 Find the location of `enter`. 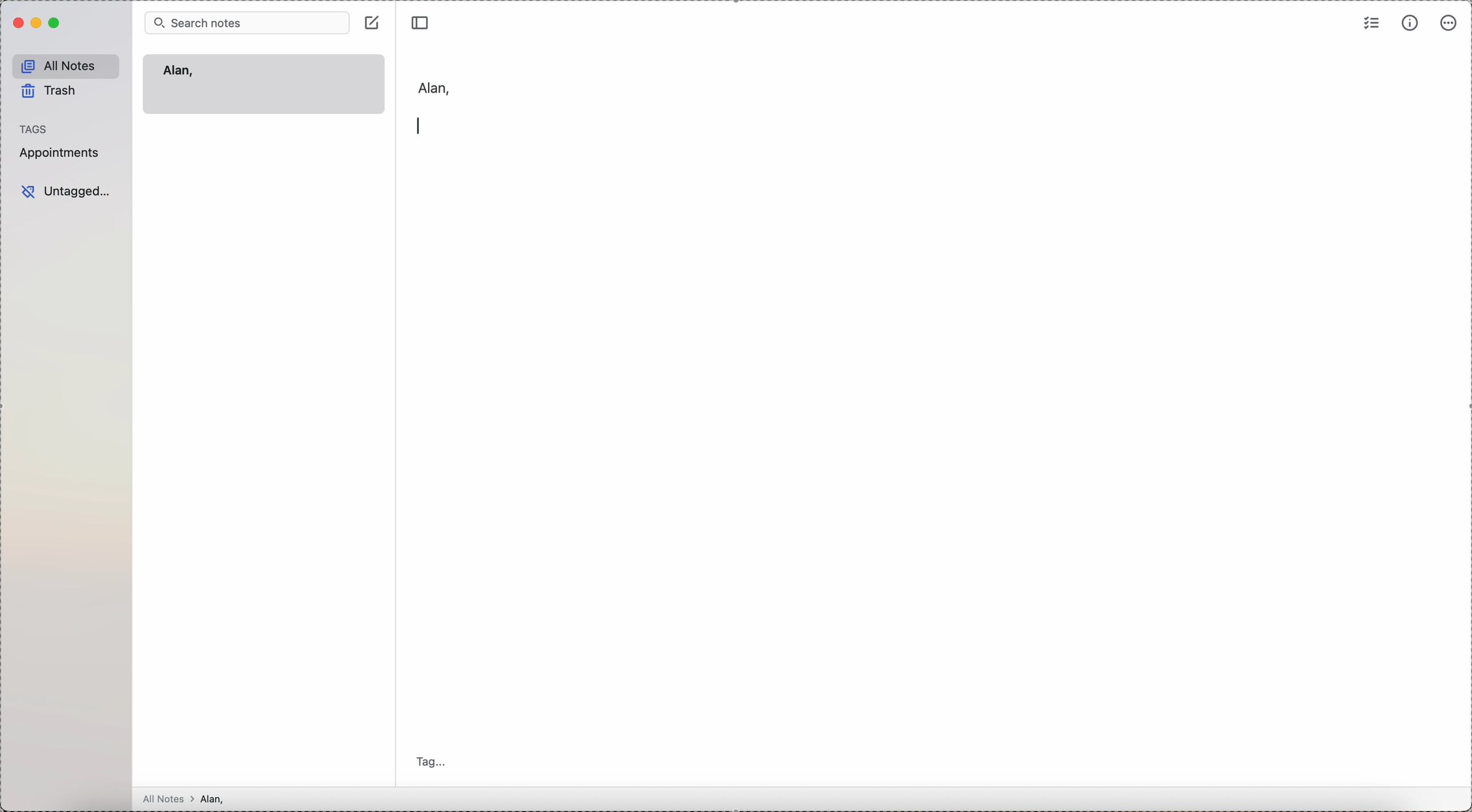

enter is located at coordinates (421, 125).